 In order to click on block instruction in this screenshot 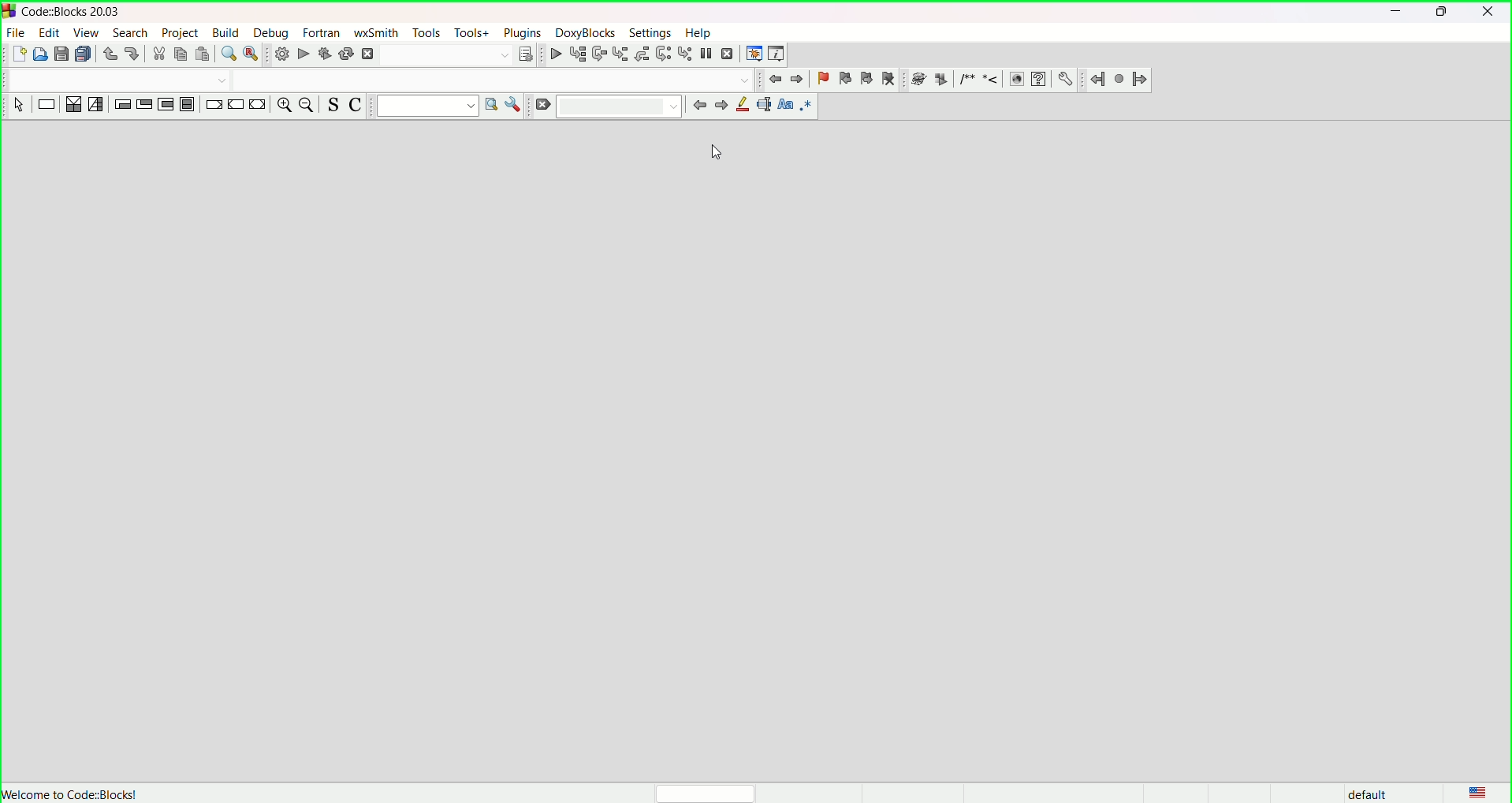, I will do `click(189, 105)`.